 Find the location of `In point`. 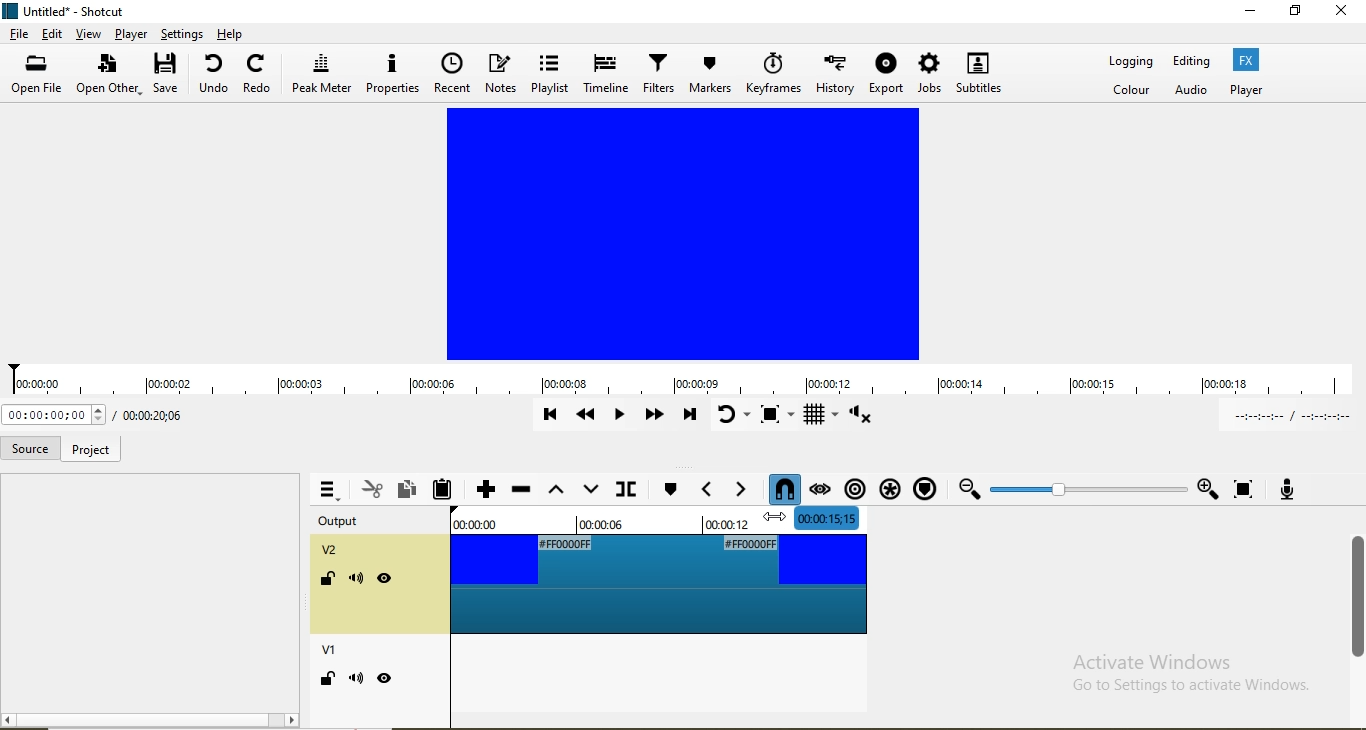

In point is located at coordinates (1286, 415).